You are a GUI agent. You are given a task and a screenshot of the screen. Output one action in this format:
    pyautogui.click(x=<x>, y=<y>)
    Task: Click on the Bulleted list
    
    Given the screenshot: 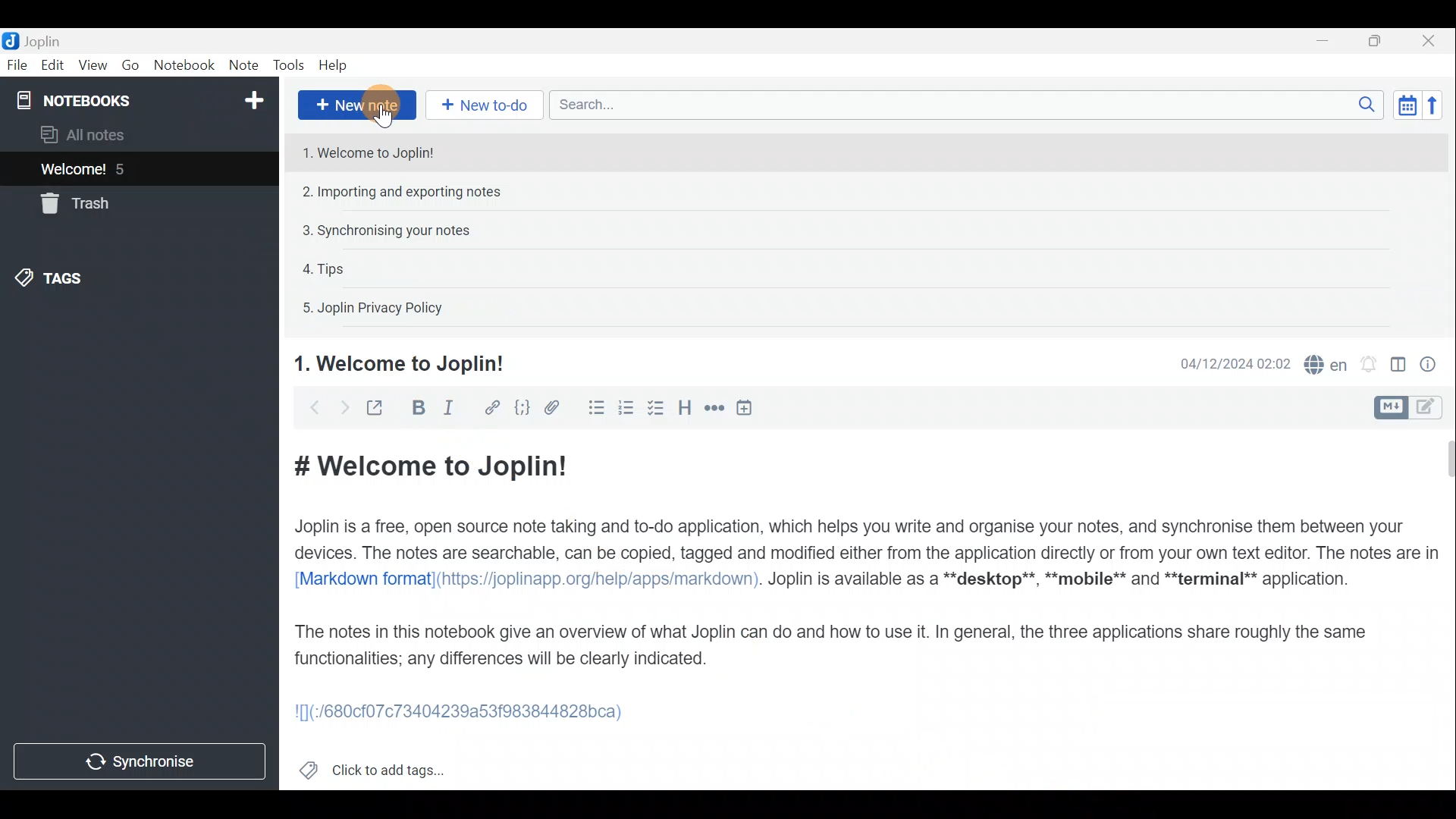 What is the action you would take?
    pyautogui.click(x=595, y=408)
    